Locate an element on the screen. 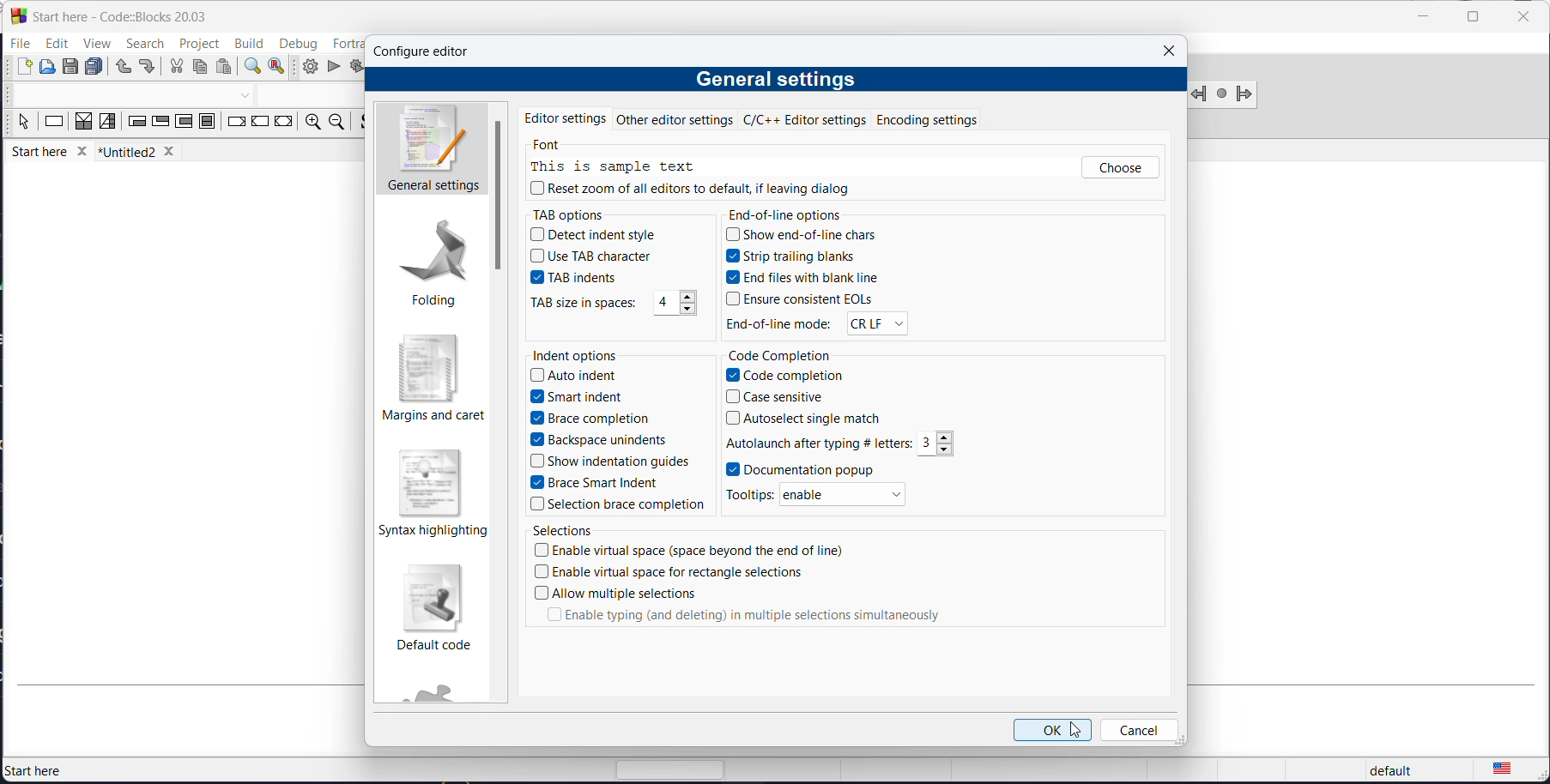 The height and width of the screenshot is (784, 1550). English US Language is located at coordinates (1502, 764).